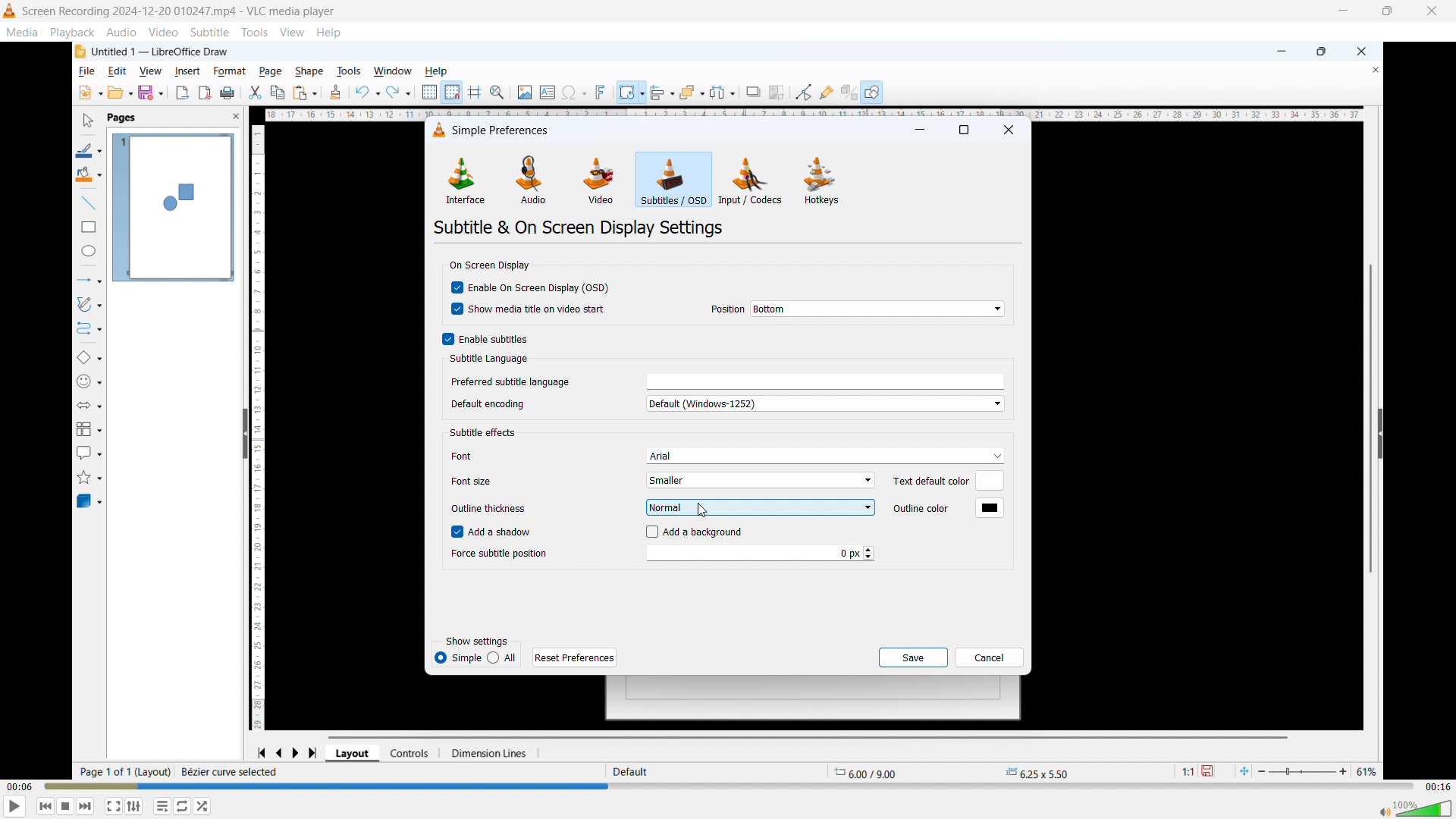  Describe the element at coordinates (85, 807) in the screenshot. I see `Forward or next media ` at that location.